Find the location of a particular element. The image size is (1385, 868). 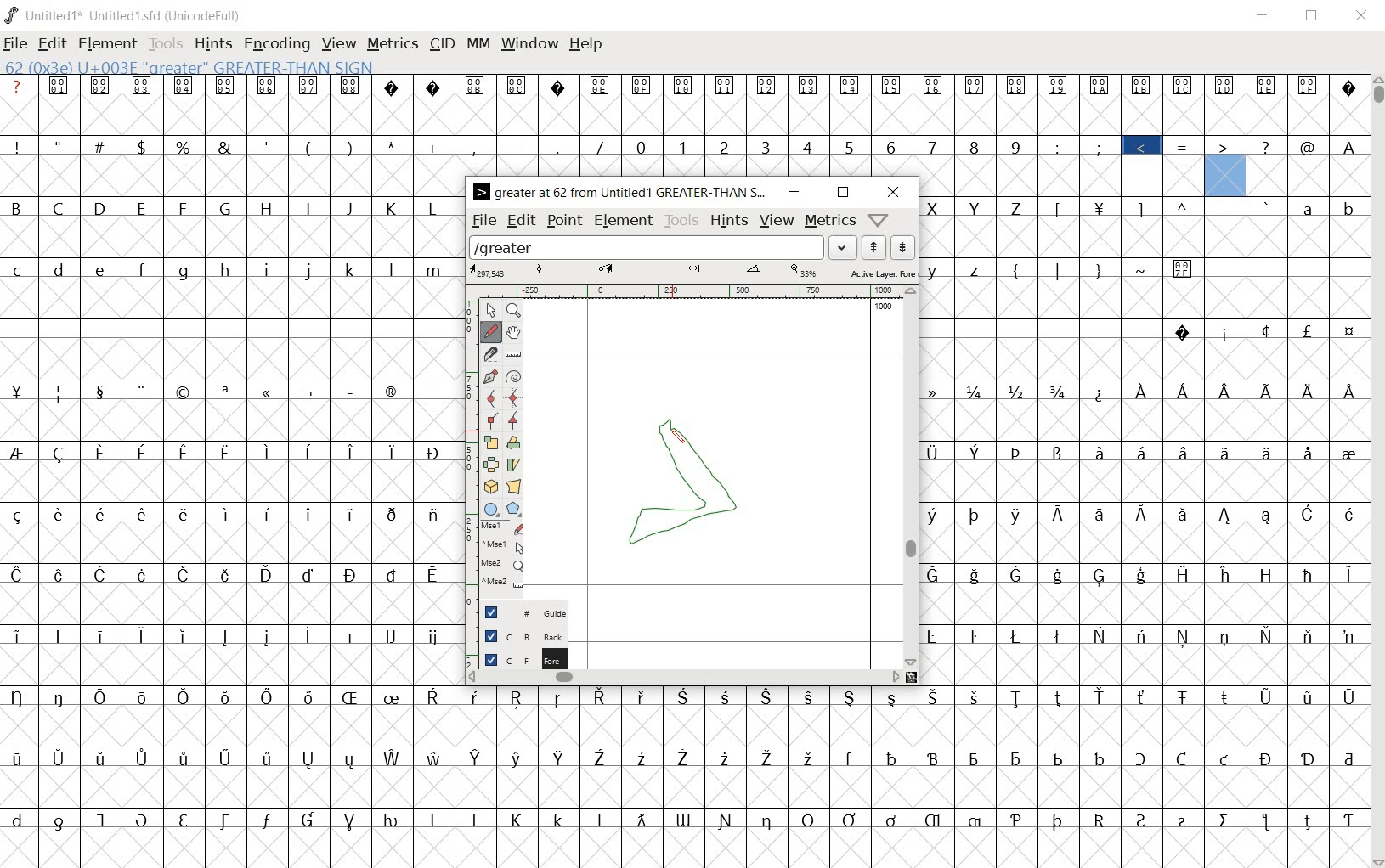

mm is located at coordinates (478, 45).